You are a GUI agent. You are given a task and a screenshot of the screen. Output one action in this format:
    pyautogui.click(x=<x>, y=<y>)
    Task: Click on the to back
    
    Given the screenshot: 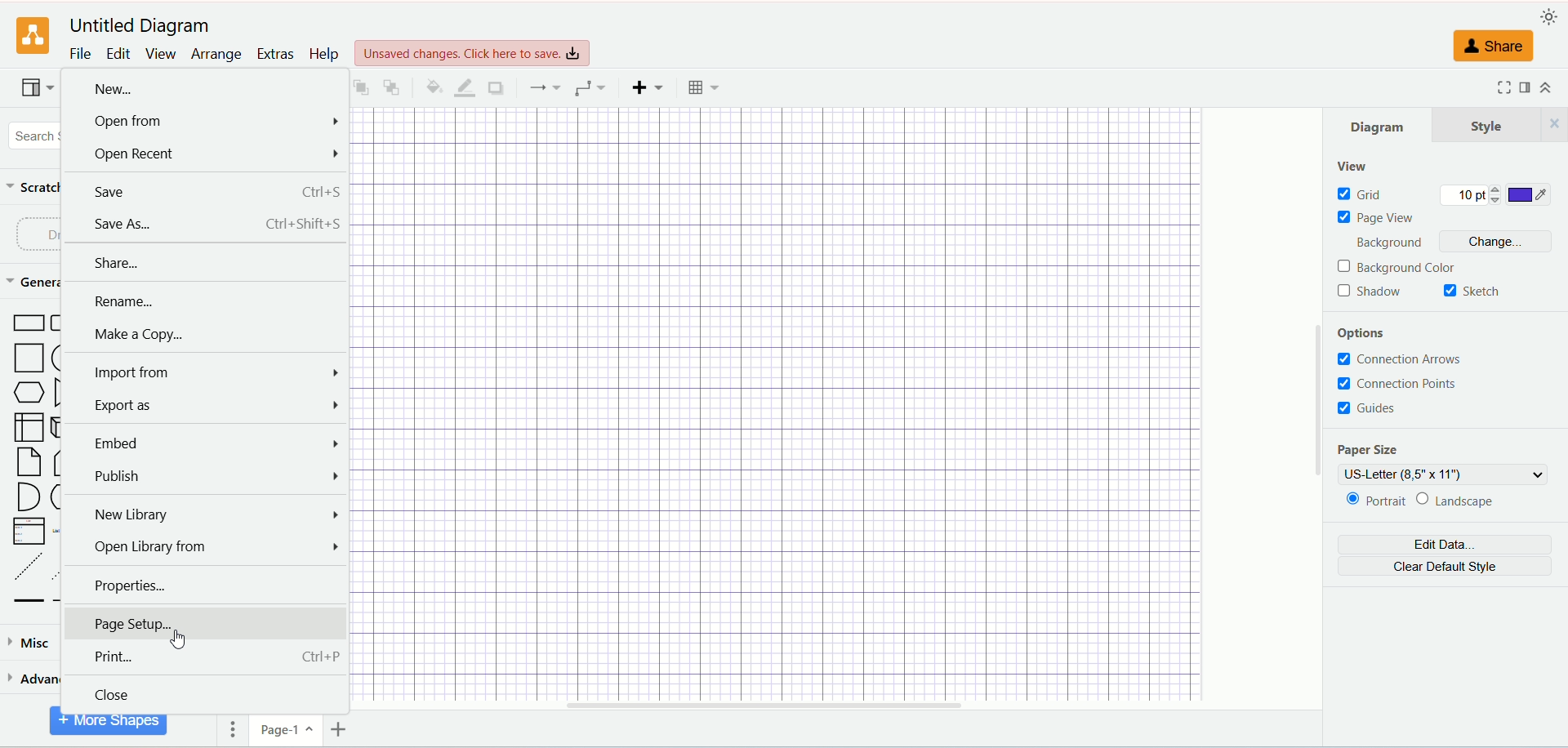 What is the action you would take?
    pyautogui.click(x=392, y=86)
    